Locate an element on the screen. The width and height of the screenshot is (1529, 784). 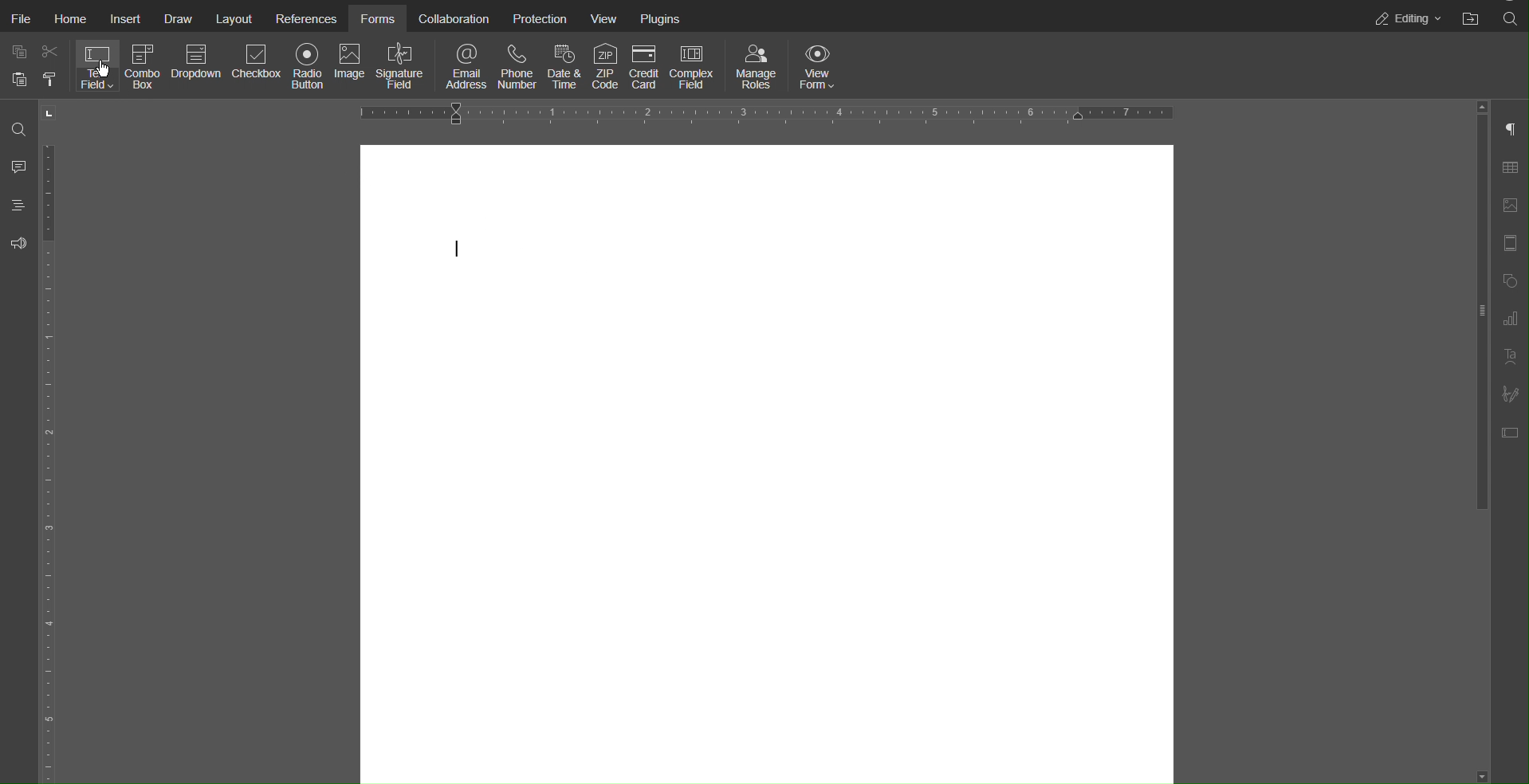
Dropdown is located at coordinates (198, 67).